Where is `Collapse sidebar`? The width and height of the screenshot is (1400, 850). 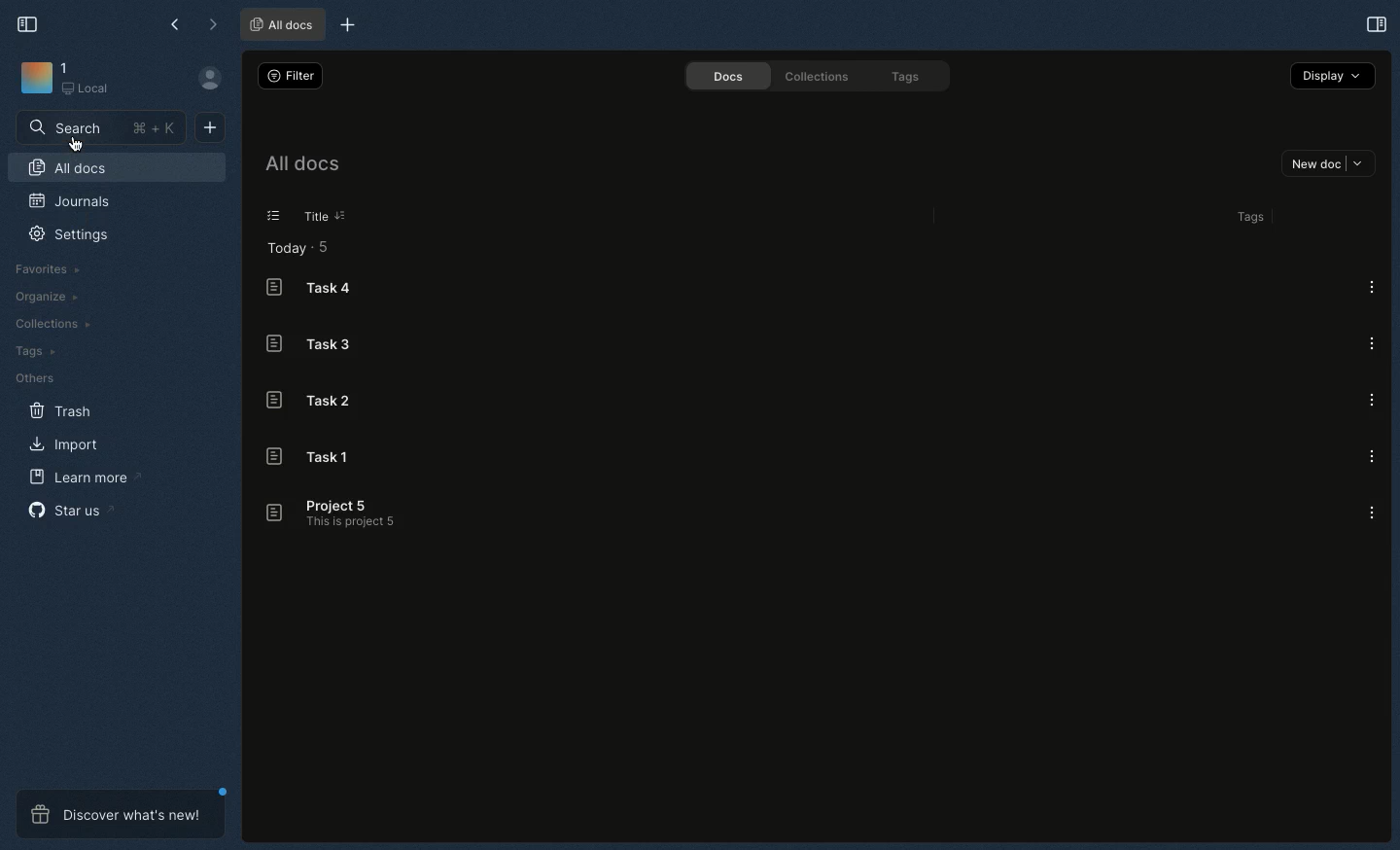
Collapse sidebar is located at coordinates (26, 22).